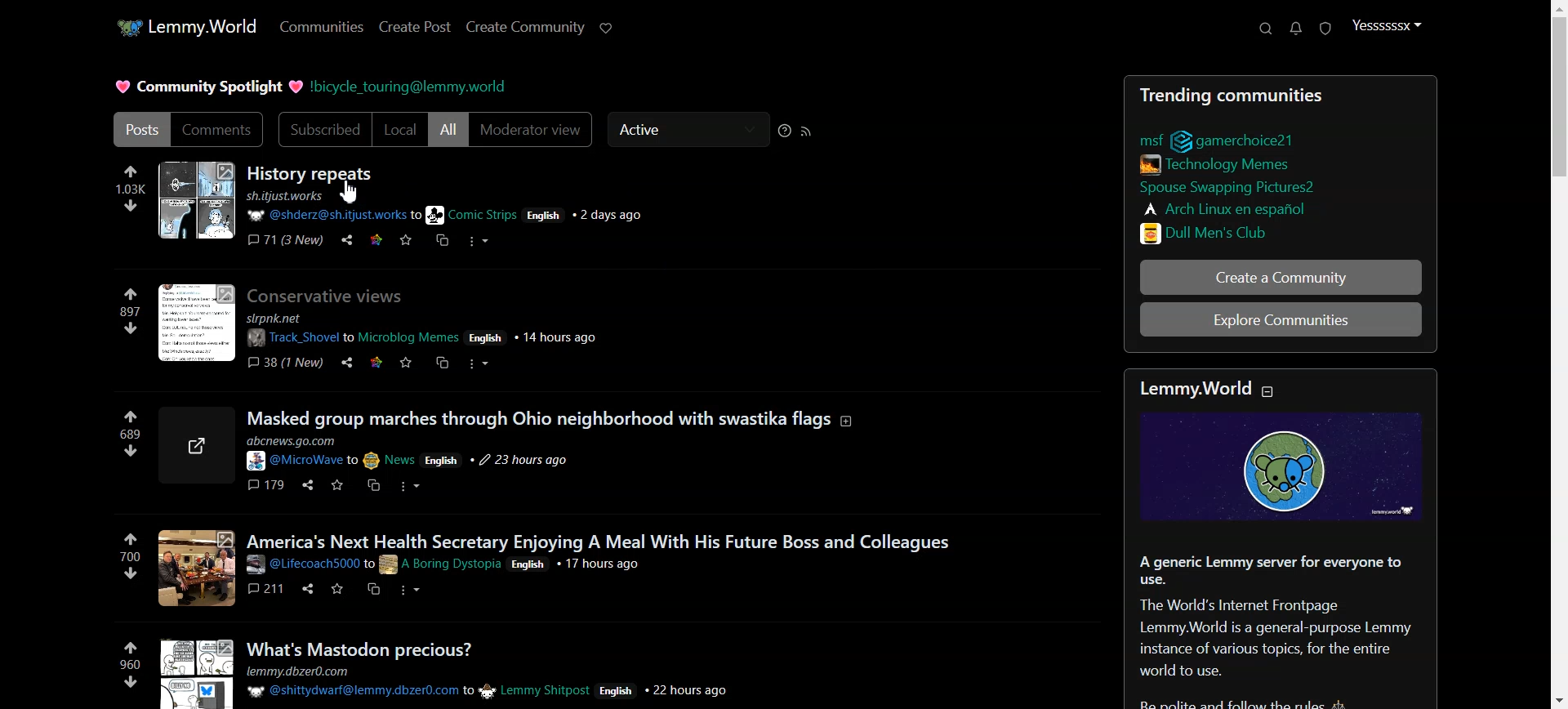 The height and width of the screenshot is (709, 1568). I want to click on Communities, so click(321, 26).